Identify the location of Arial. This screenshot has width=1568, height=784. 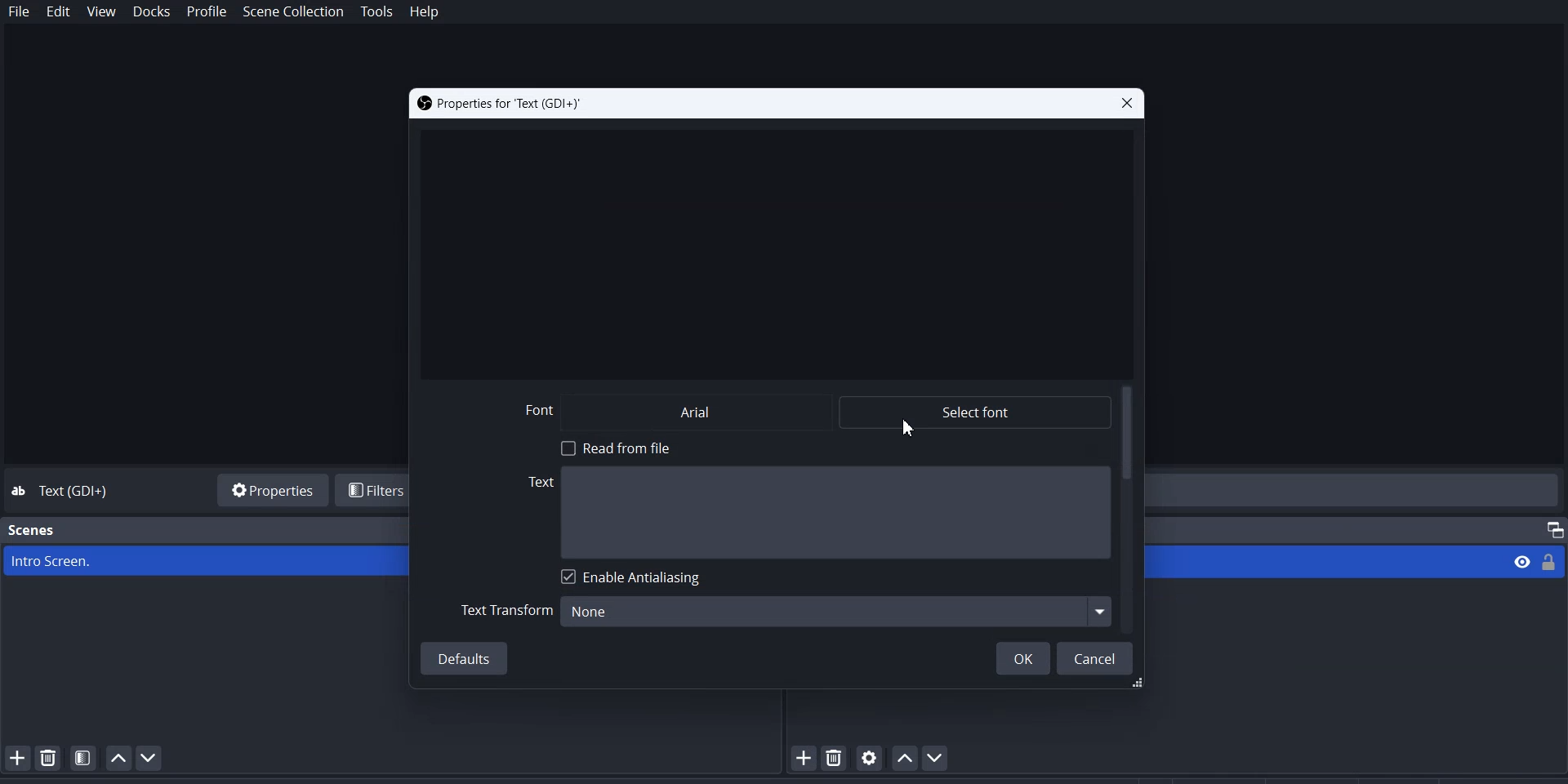
(719, 412).